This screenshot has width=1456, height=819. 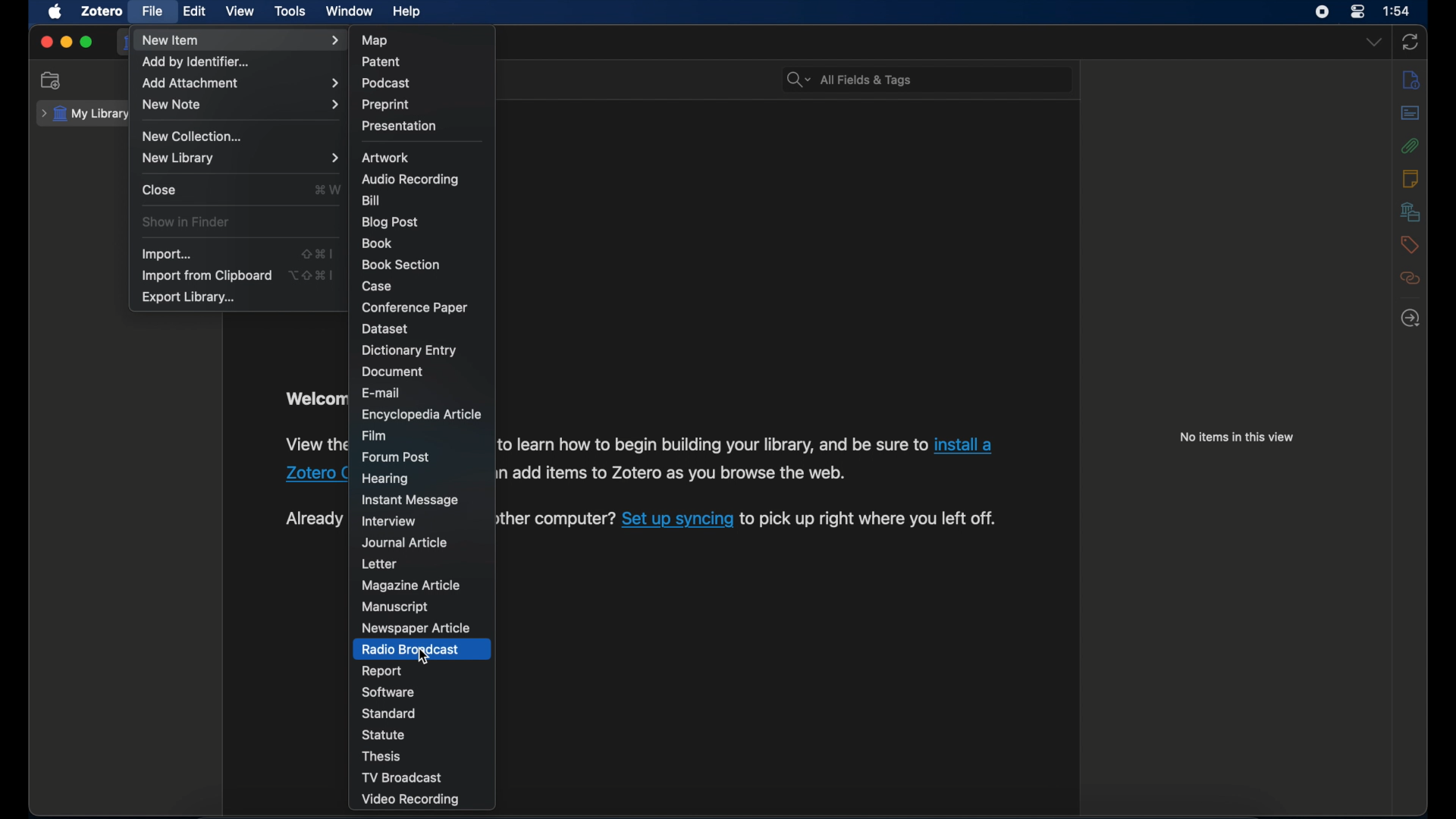 I want to click on show in finder, so click(x=185, y=221).